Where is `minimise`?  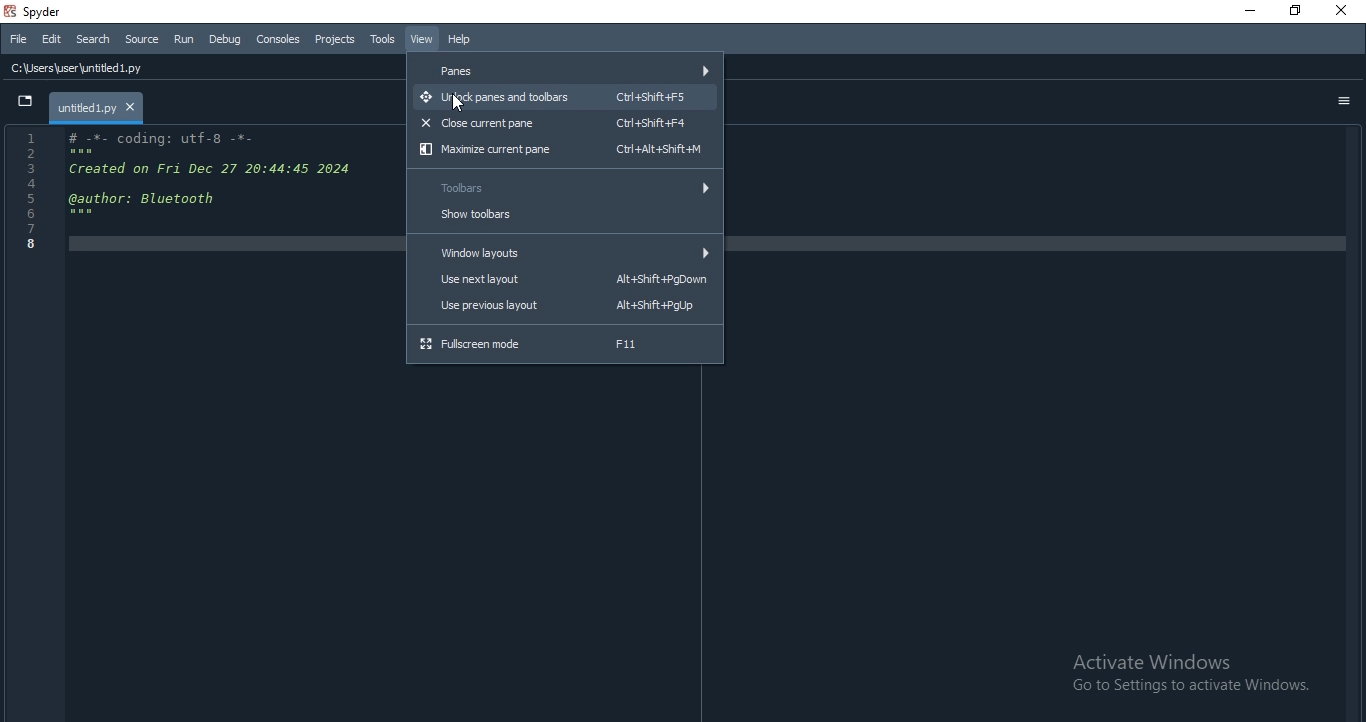
minimise is located at coordinates (1245, 12).